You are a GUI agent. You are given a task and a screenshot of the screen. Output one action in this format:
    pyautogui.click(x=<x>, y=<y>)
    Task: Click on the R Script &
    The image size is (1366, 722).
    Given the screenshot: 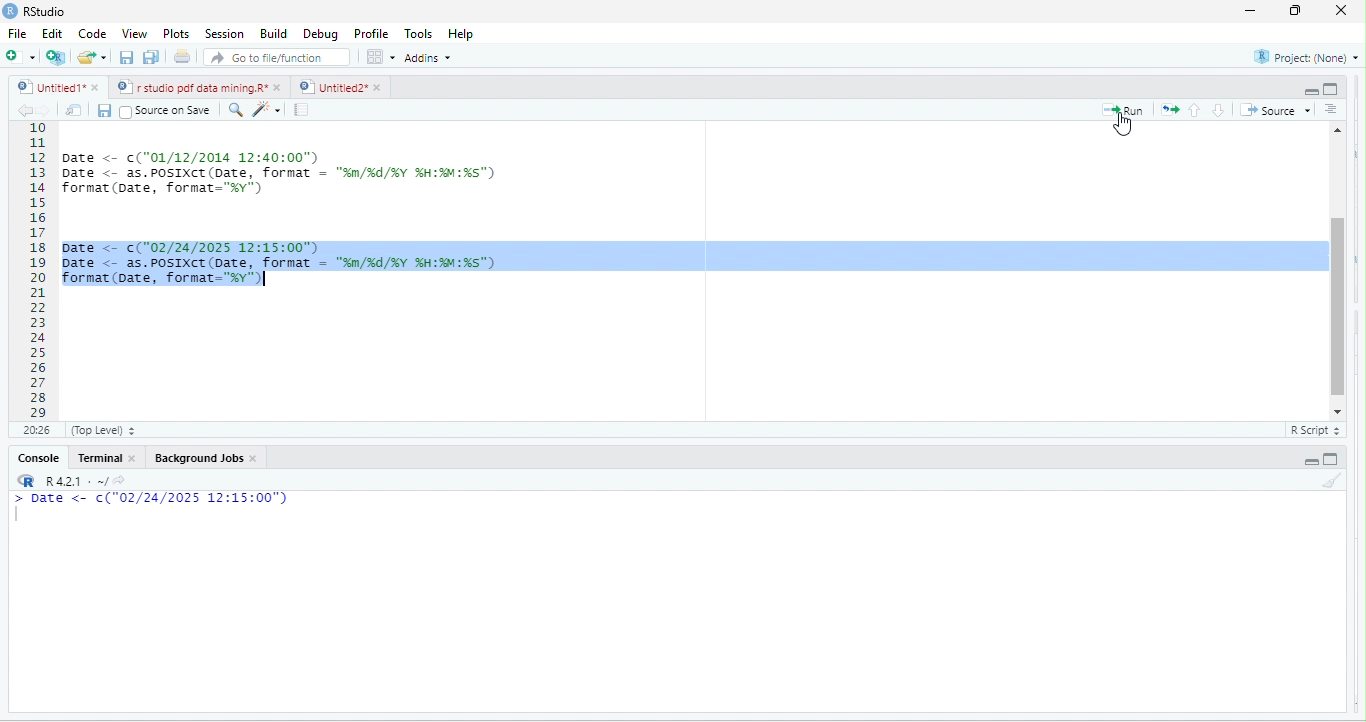 What is the action you would take?
    pyautogui.click(x=1312, y=431)
    